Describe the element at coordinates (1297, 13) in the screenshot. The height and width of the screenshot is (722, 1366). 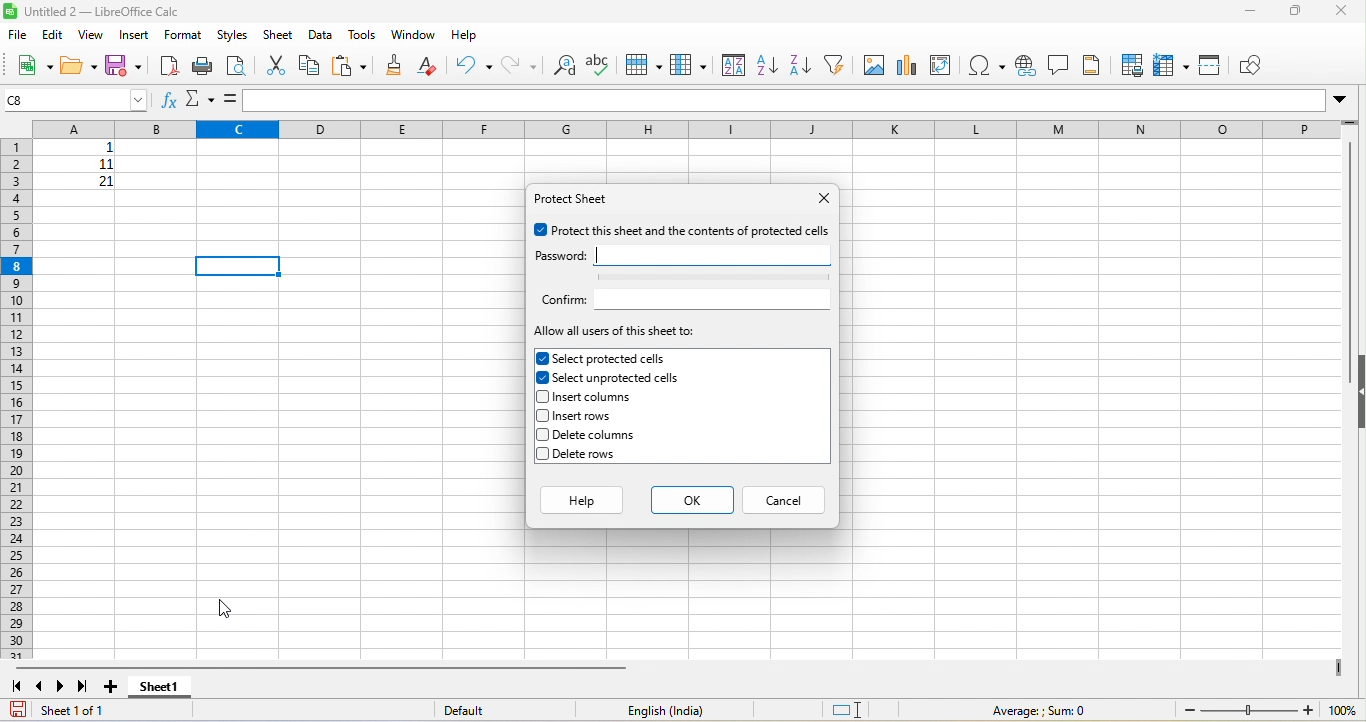
I see `maximize` at that location.